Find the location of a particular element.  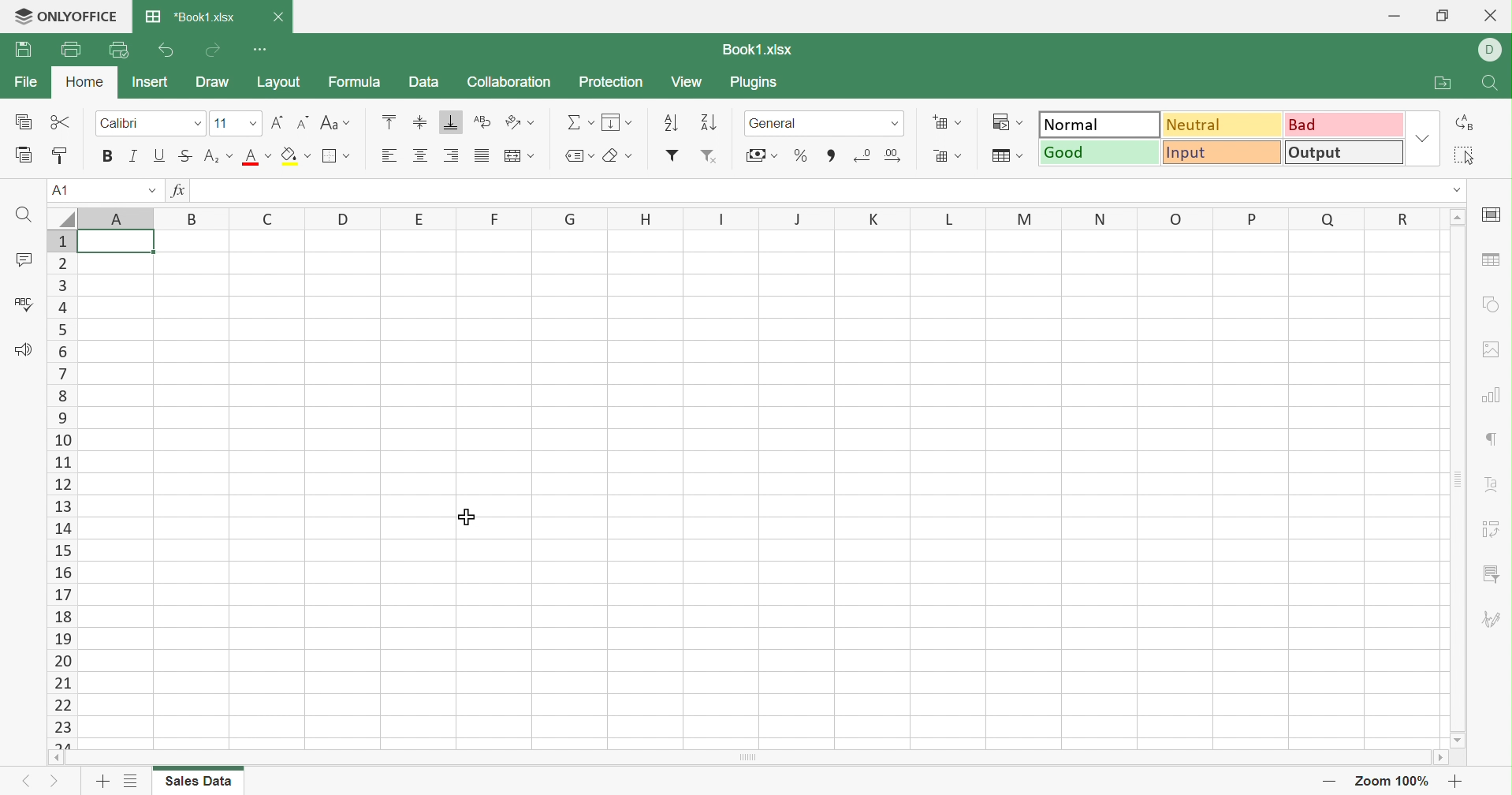

Justifies is located at coordinates (483, 155).